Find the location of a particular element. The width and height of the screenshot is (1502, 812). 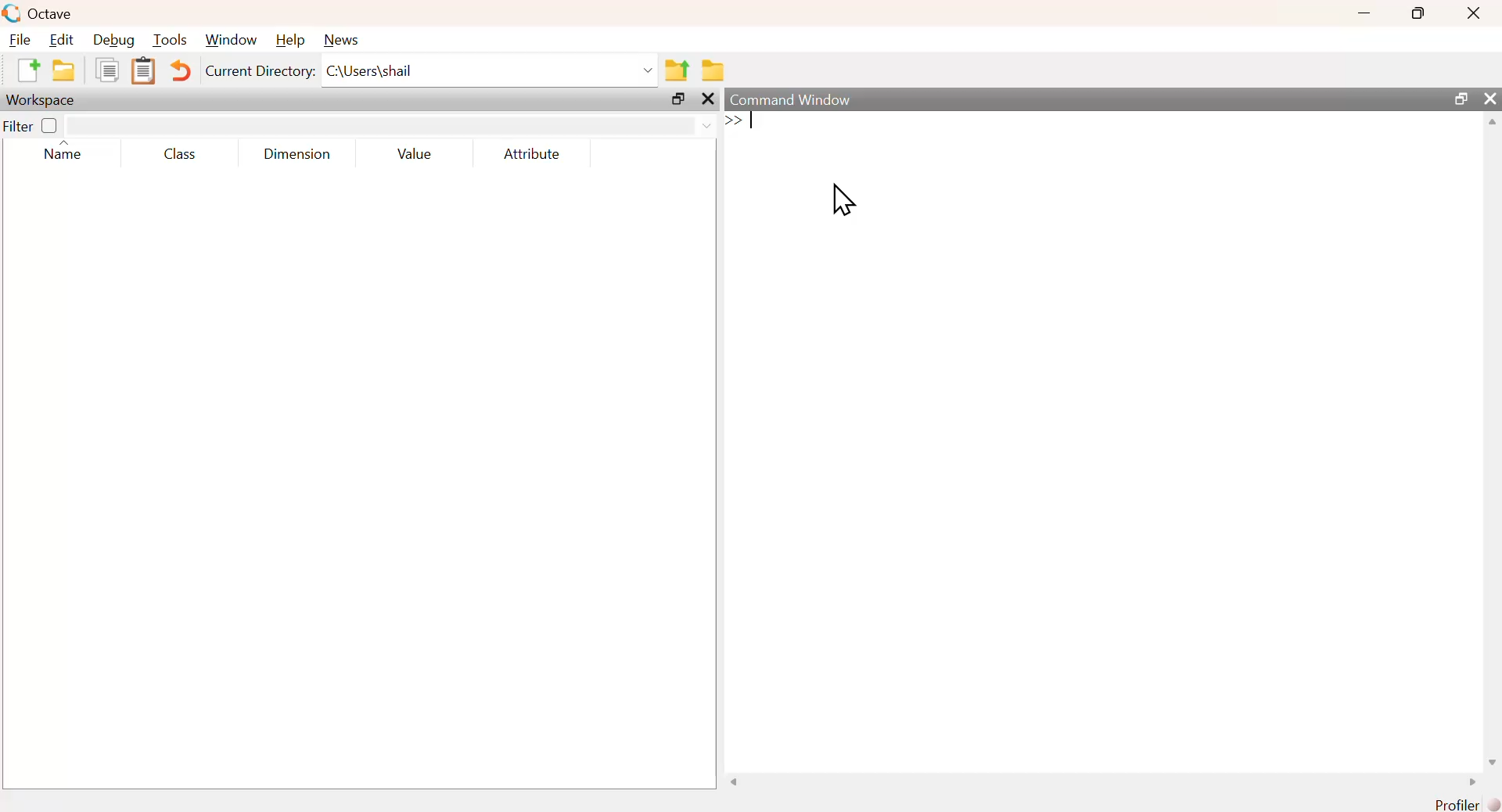

news is located at coordinates (341, 39).